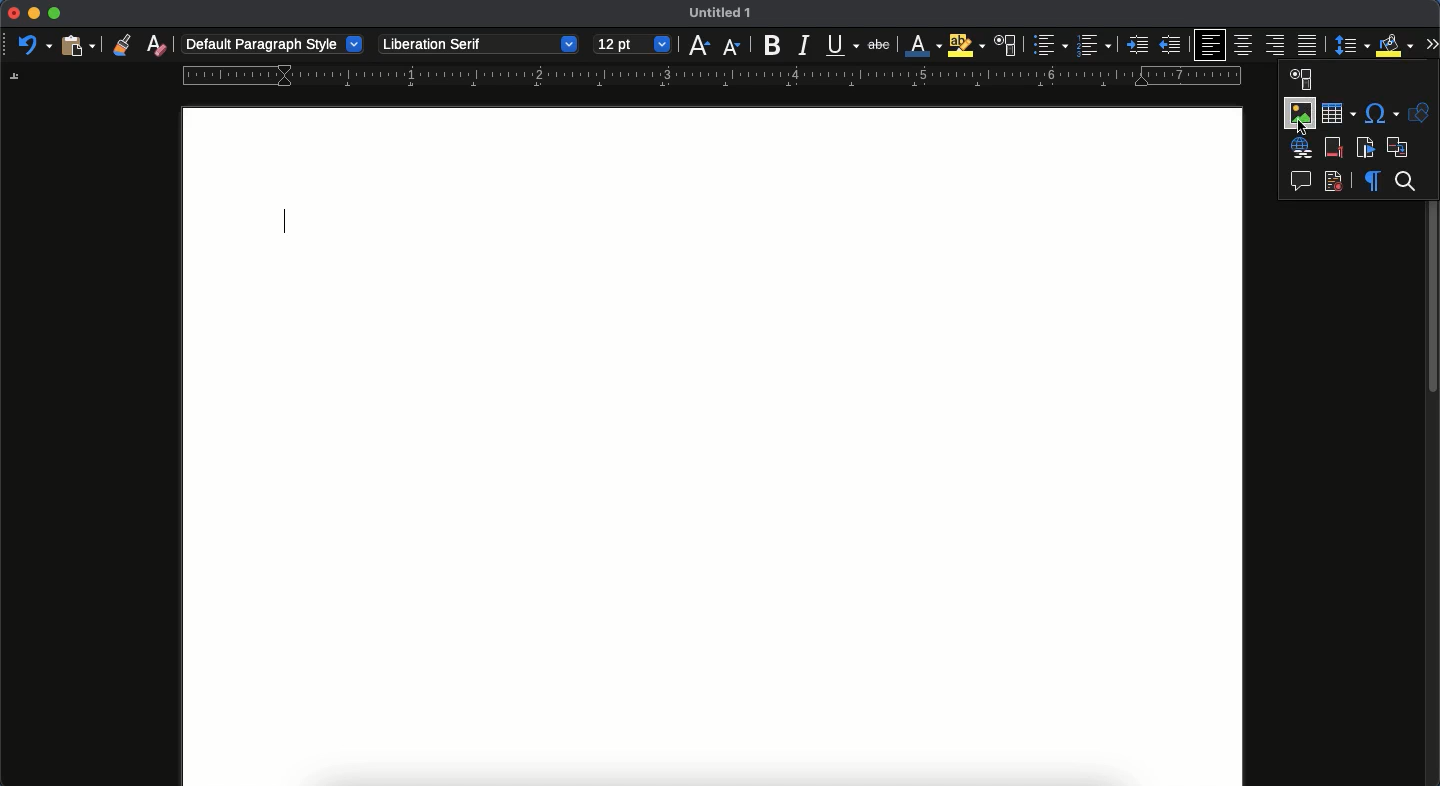  I want to click on paste, so click(77, 47).